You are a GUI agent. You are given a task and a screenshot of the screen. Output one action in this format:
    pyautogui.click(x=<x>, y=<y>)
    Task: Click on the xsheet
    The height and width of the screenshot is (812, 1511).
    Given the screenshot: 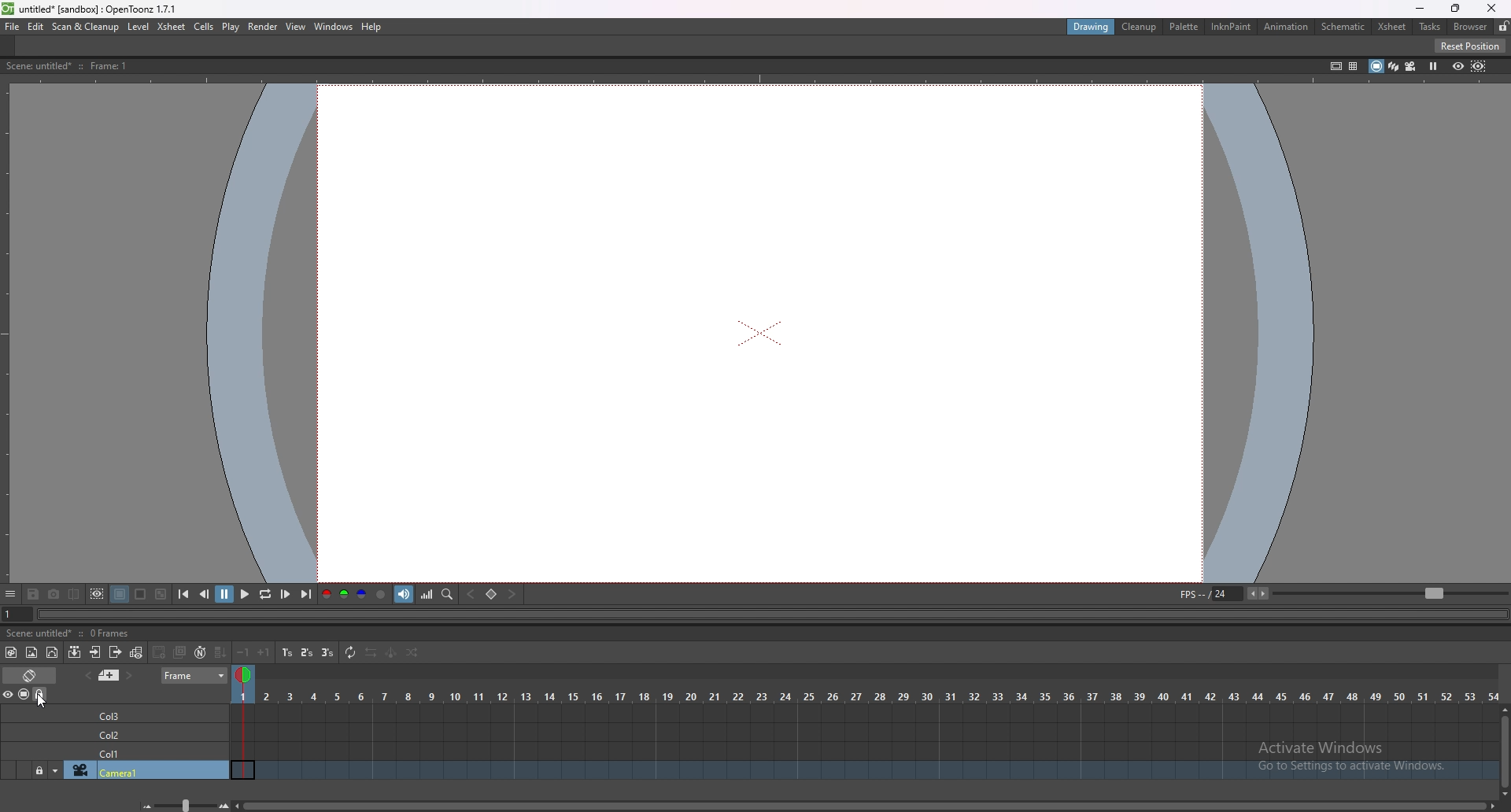 What is the action you would take?
    pyautogui.click(x=1392, y=27)
    